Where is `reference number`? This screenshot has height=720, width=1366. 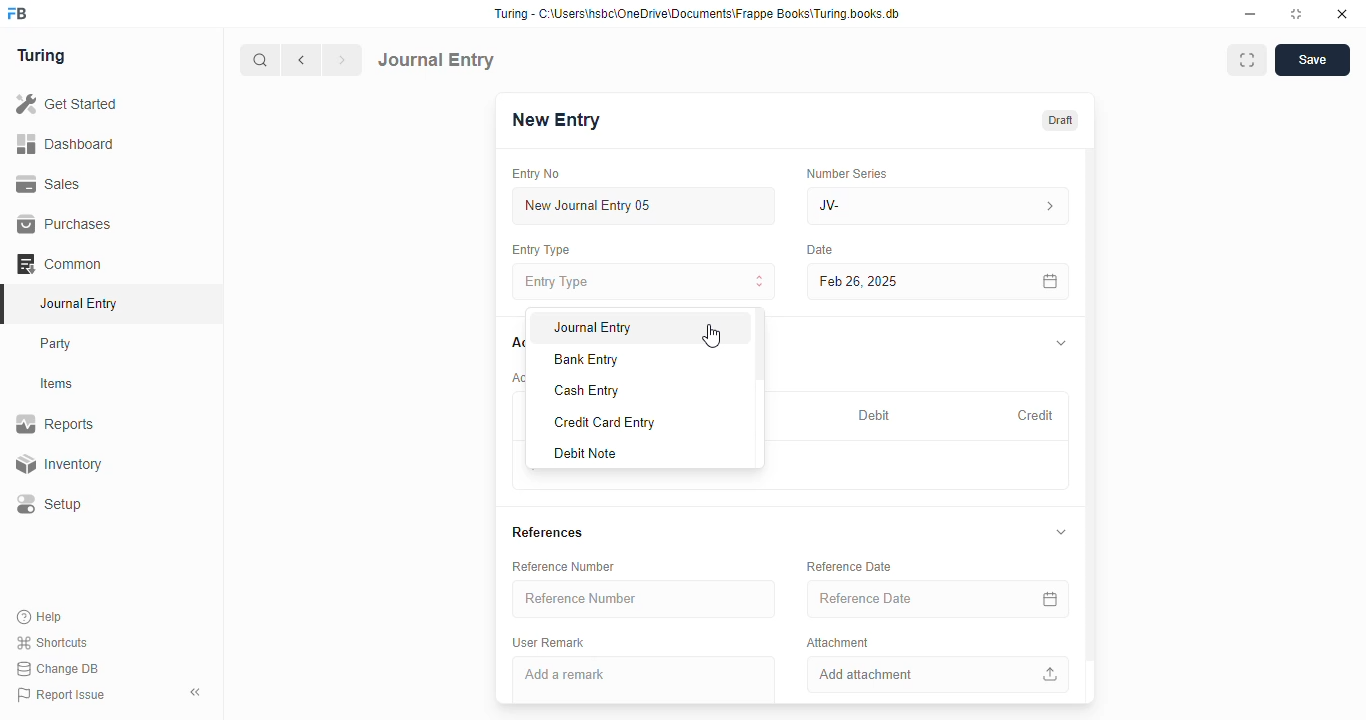 reference number is located at coordinates (563, 567).